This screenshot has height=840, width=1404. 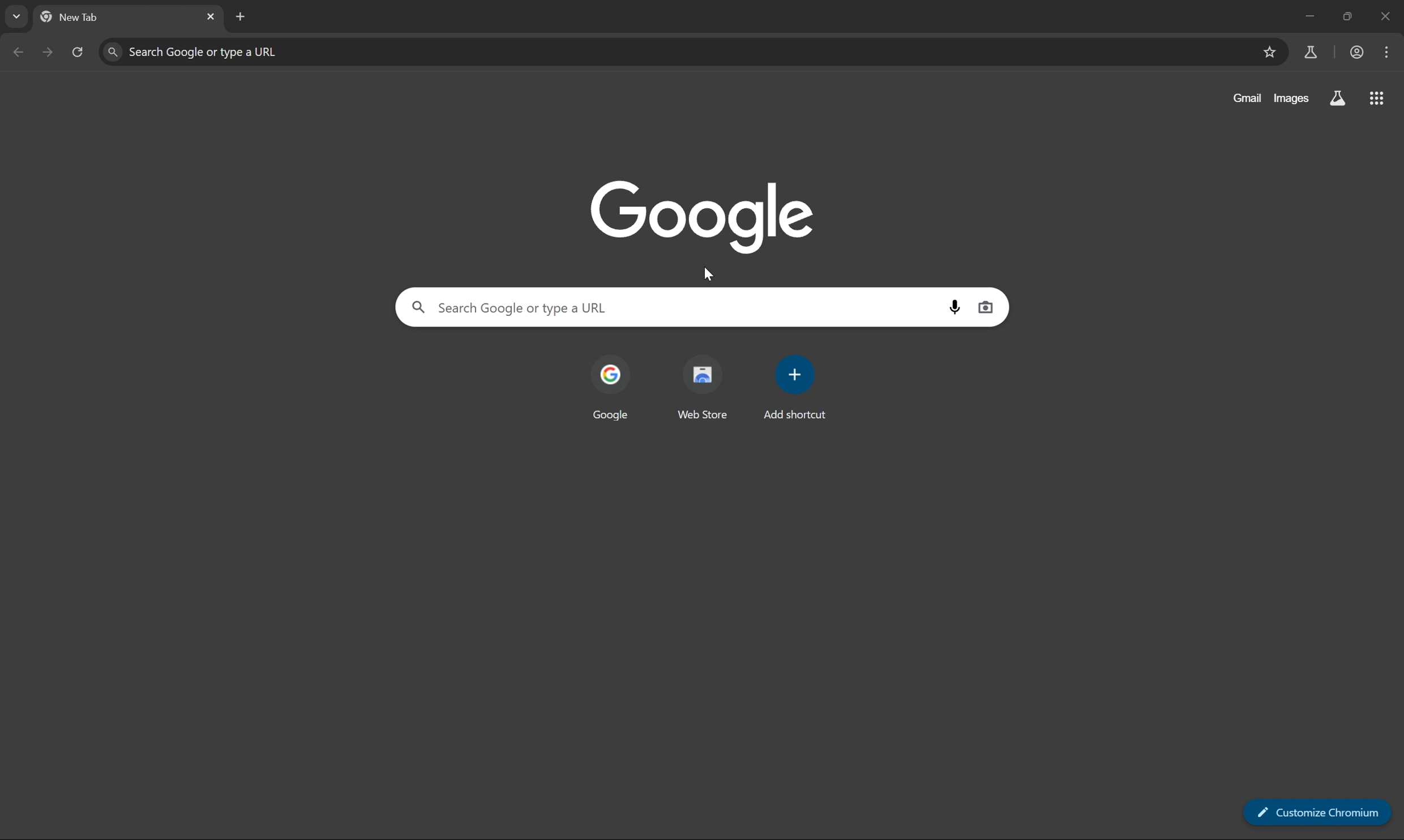 What do you see at coordinates (794, 388) in the screenshot?
I see `add shortcut` at bounding box center [794, 388].